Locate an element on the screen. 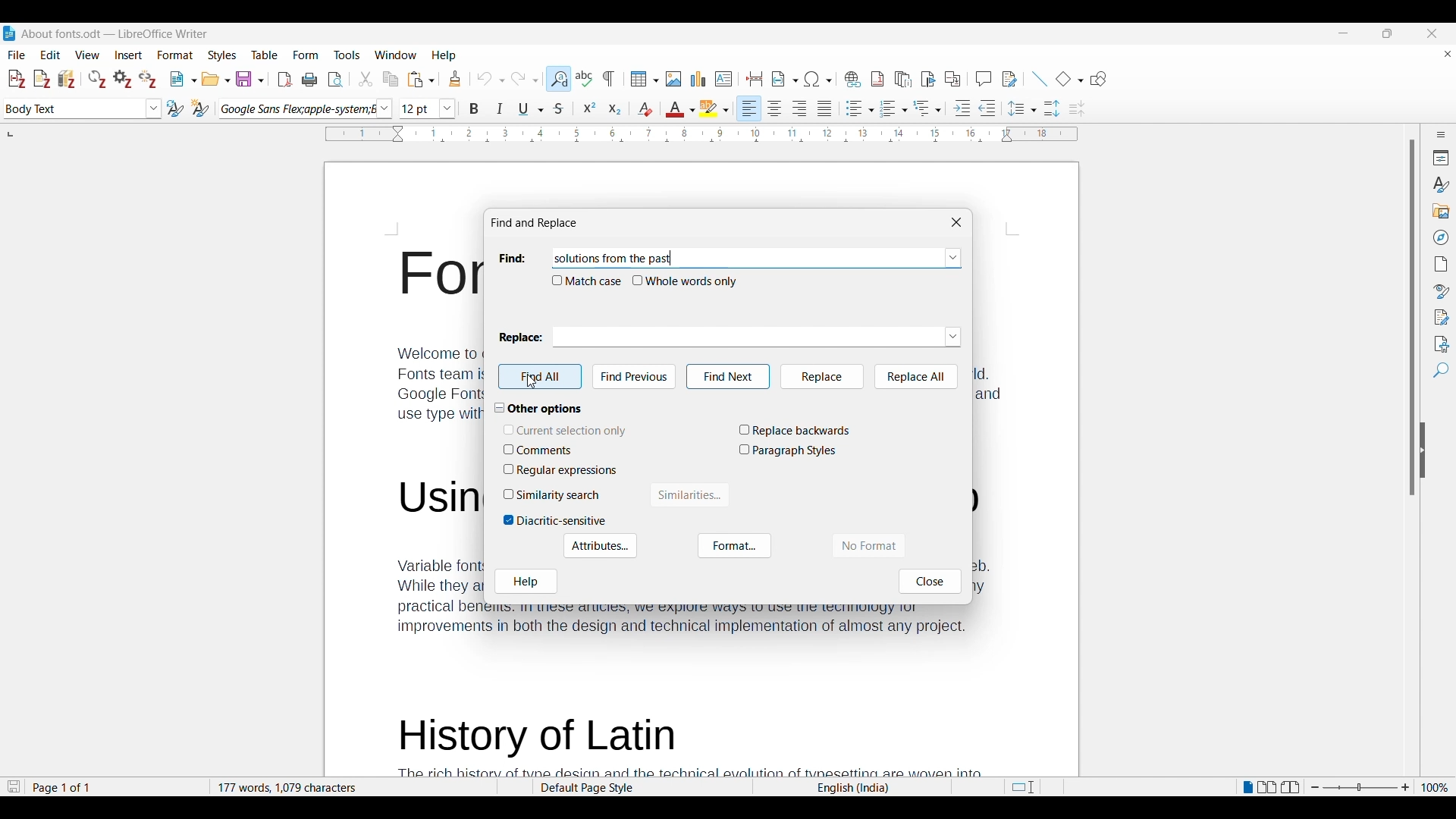 The height and width of the screenshot is (819, 1456). Software and project name is located at coordinates (115, 34).